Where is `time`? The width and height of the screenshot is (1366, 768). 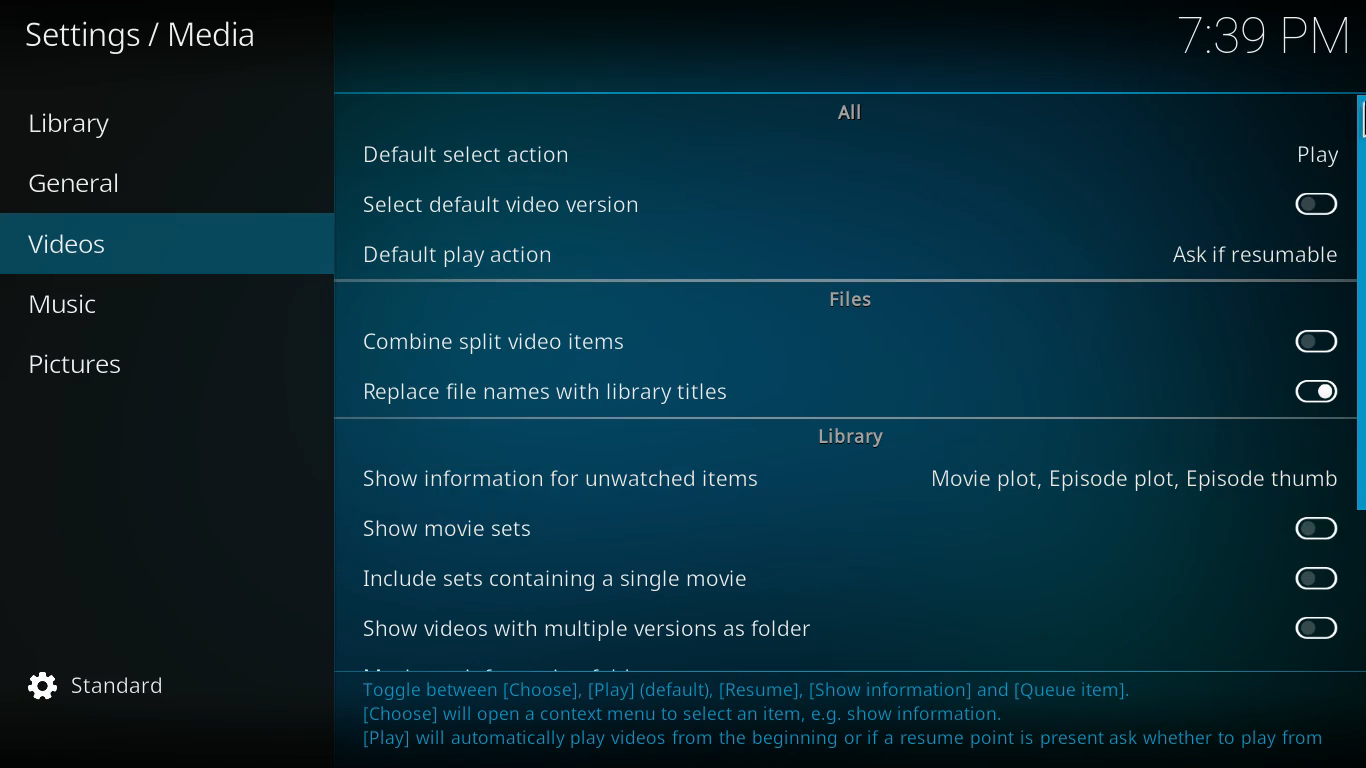
time is located at coordinates (1260, 38).